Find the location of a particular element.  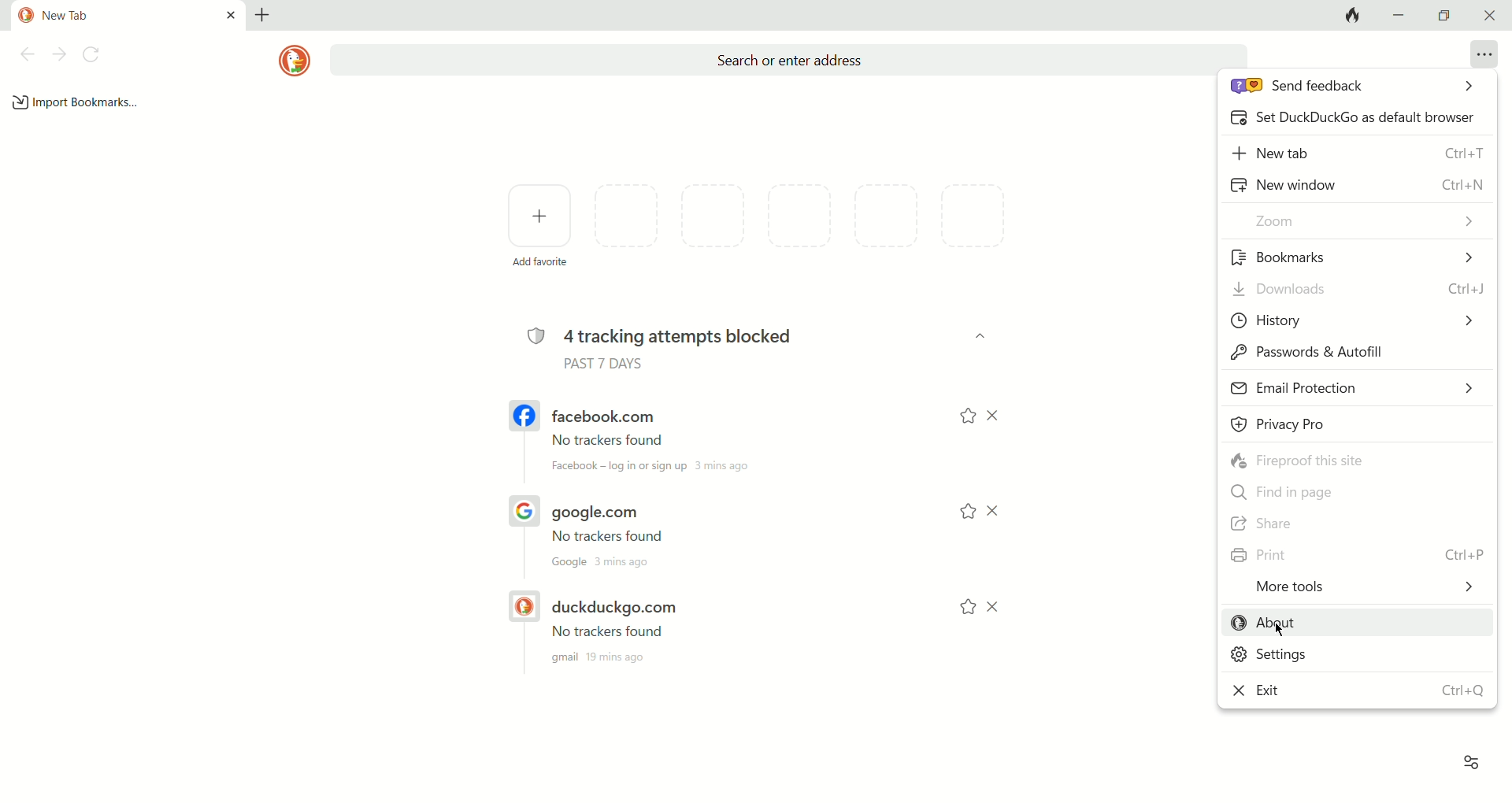

Add to favourites  is located at coordinates (965, 417).